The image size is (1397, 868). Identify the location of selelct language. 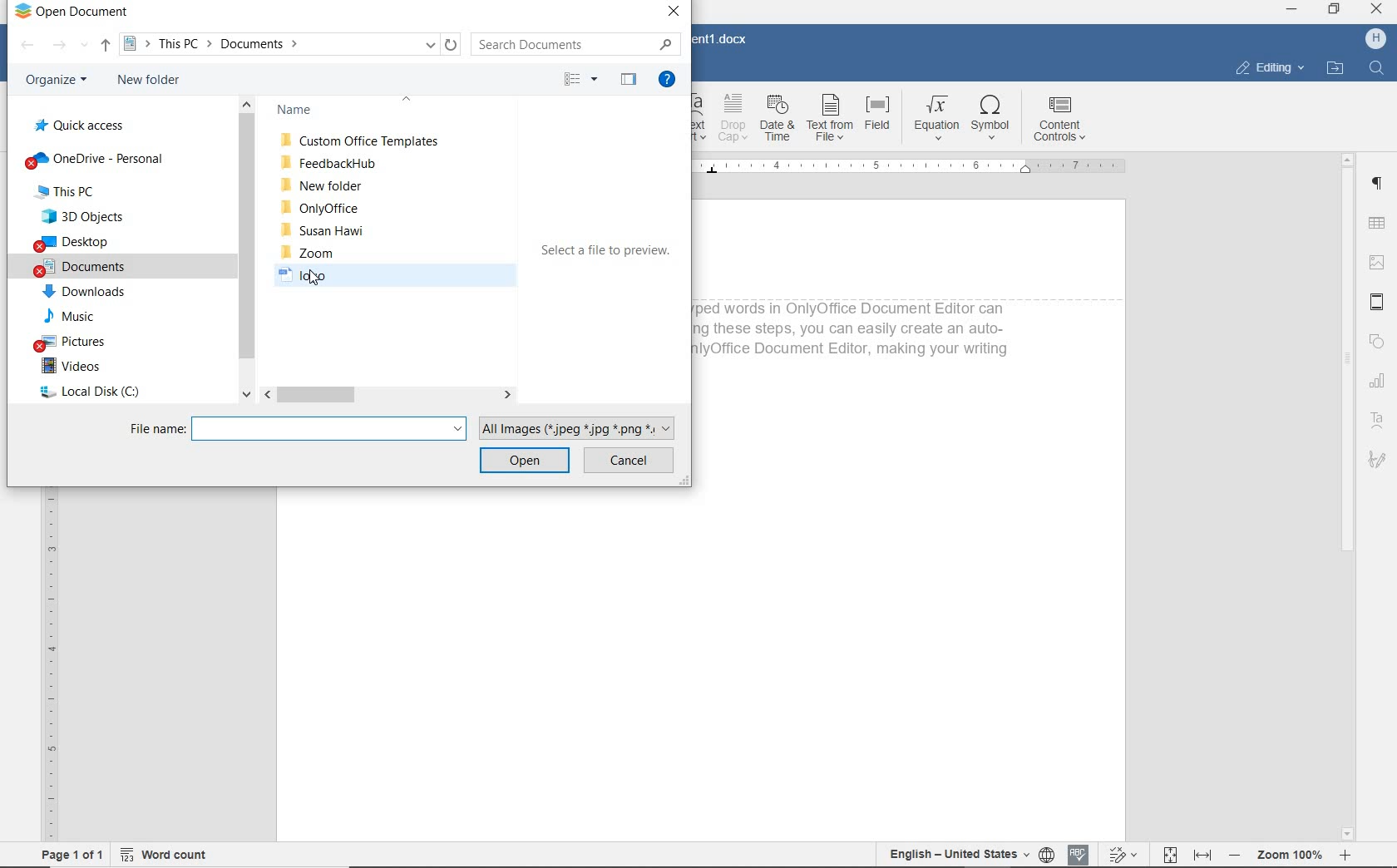
(1048, 855).